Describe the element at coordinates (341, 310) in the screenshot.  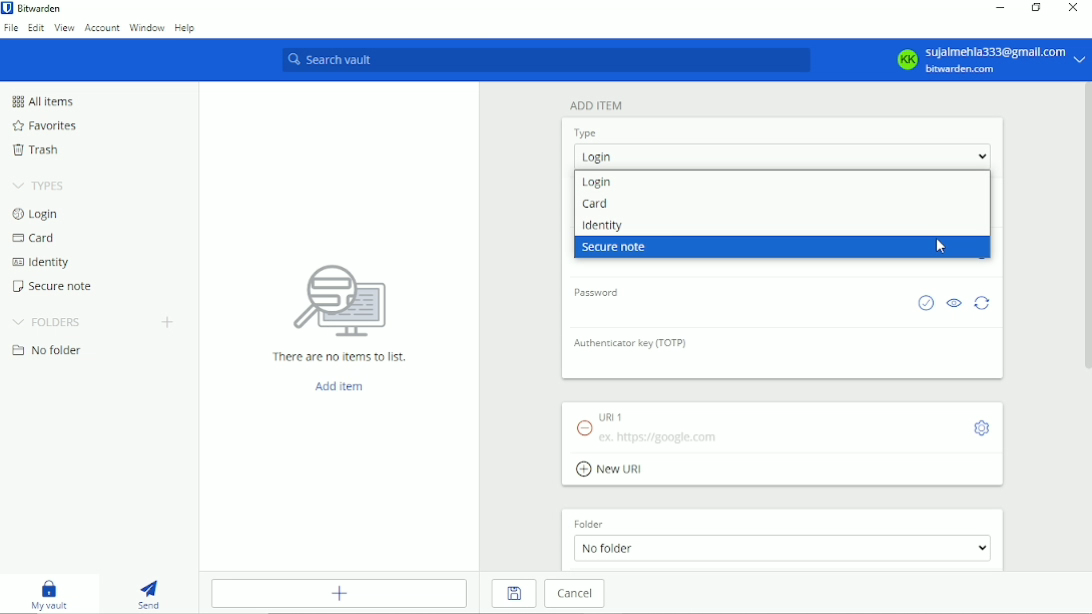
I see `There are no items to list.` at that location.